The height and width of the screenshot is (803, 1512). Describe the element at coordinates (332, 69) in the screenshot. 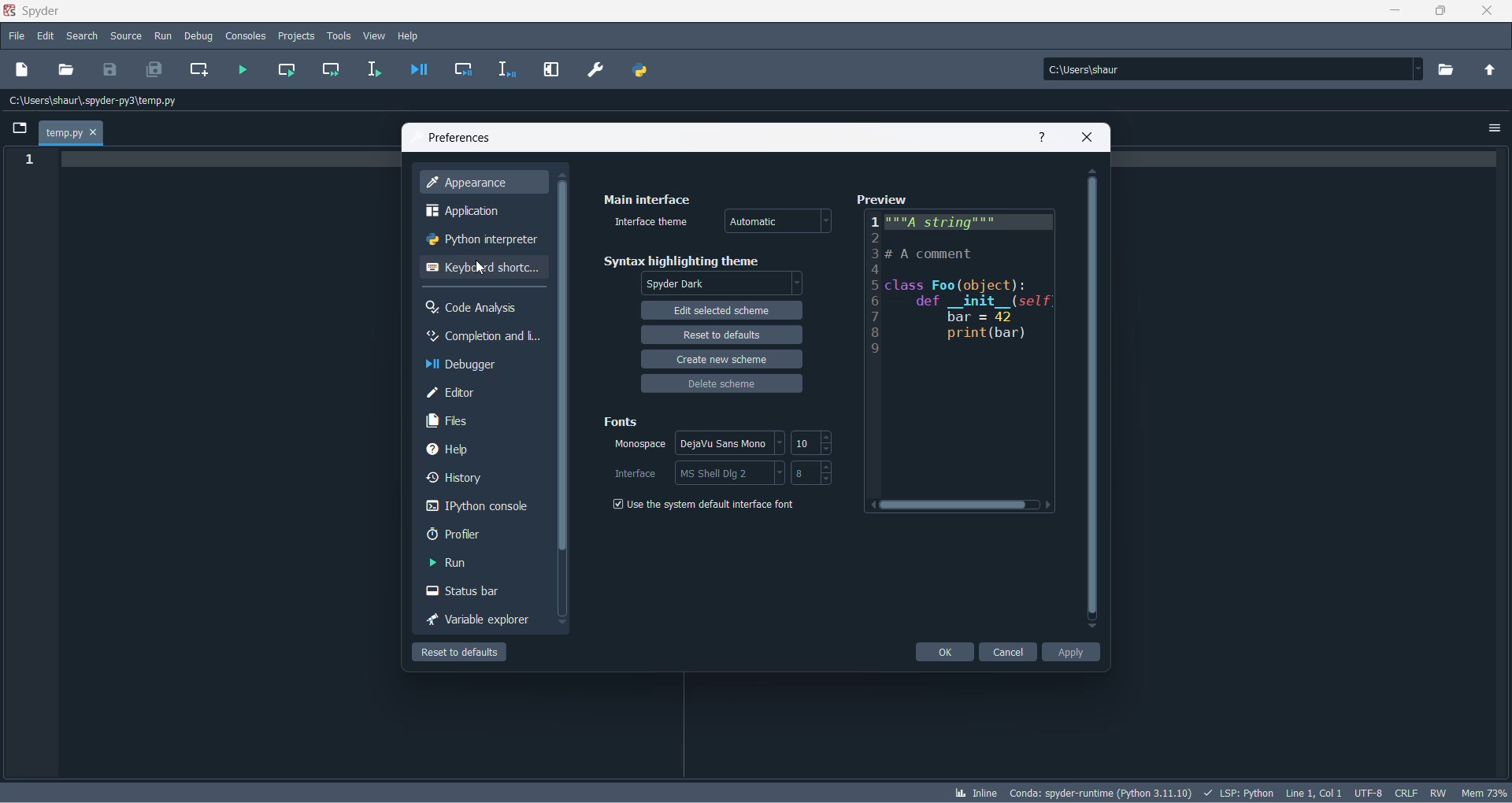

I see `run current cell` at that location.